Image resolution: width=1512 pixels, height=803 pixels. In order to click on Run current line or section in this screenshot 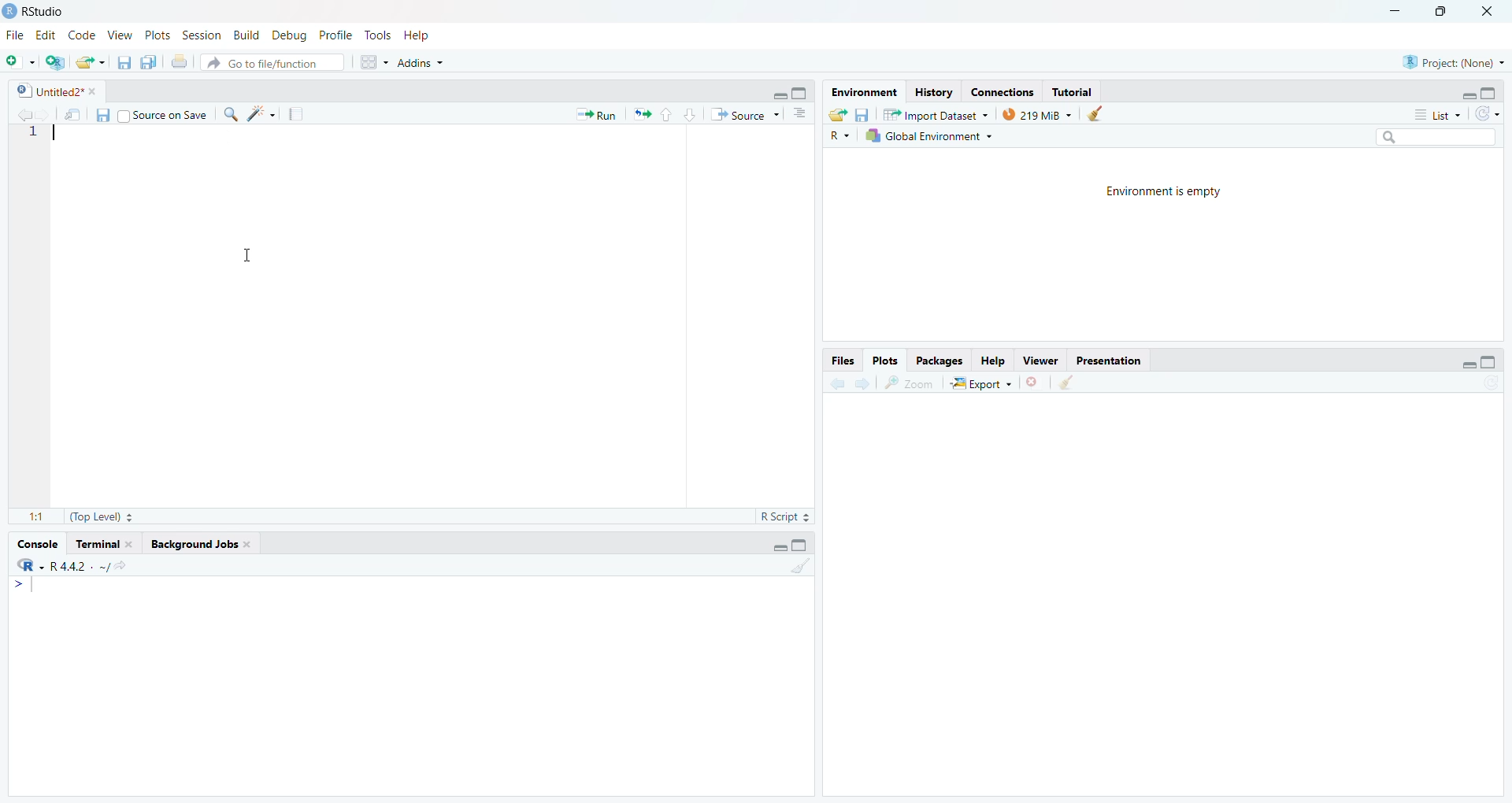, I will do `click(596, 113)`.